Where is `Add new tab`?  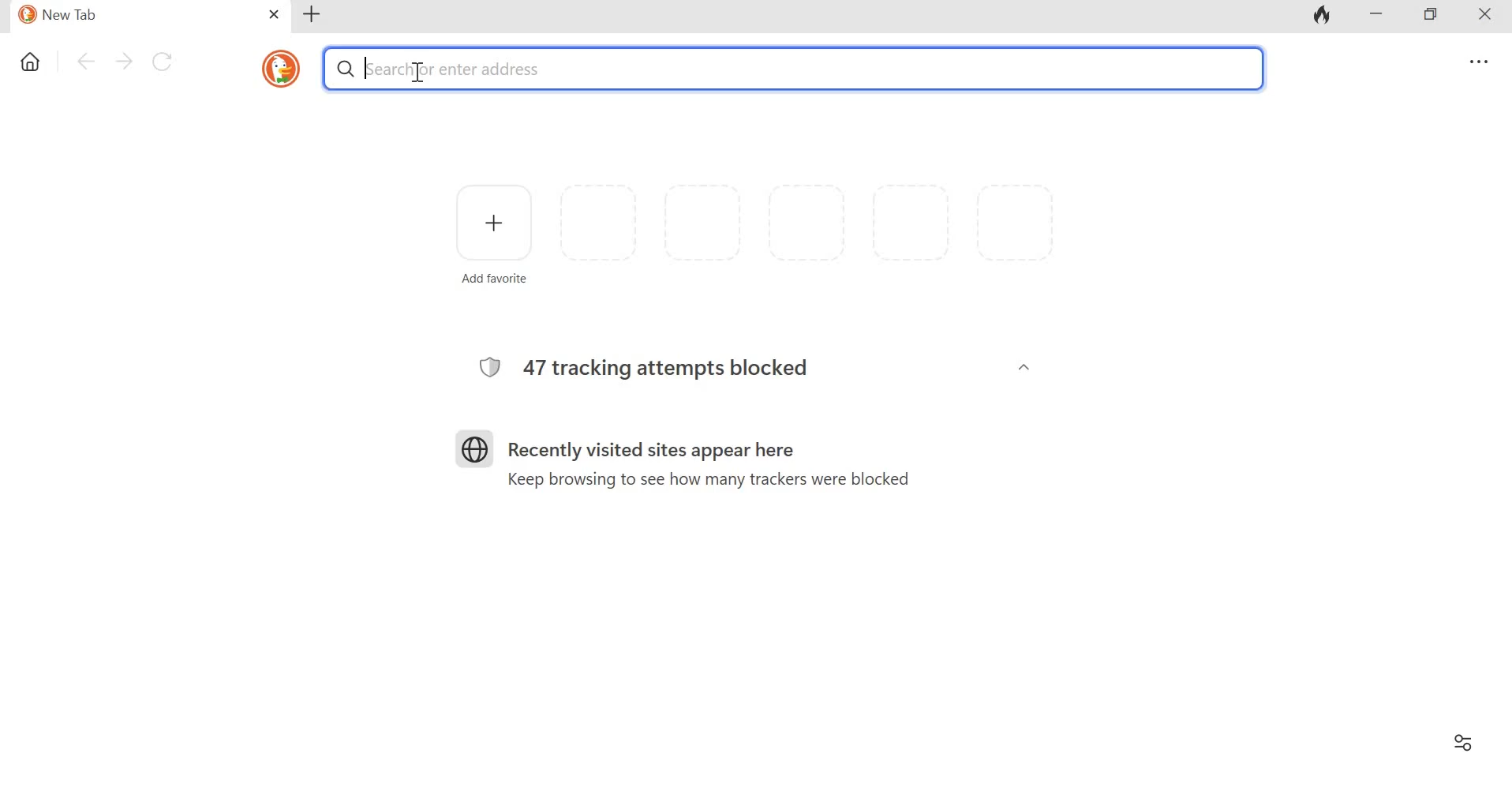 Add new tab is located at coordinates (315, 14).